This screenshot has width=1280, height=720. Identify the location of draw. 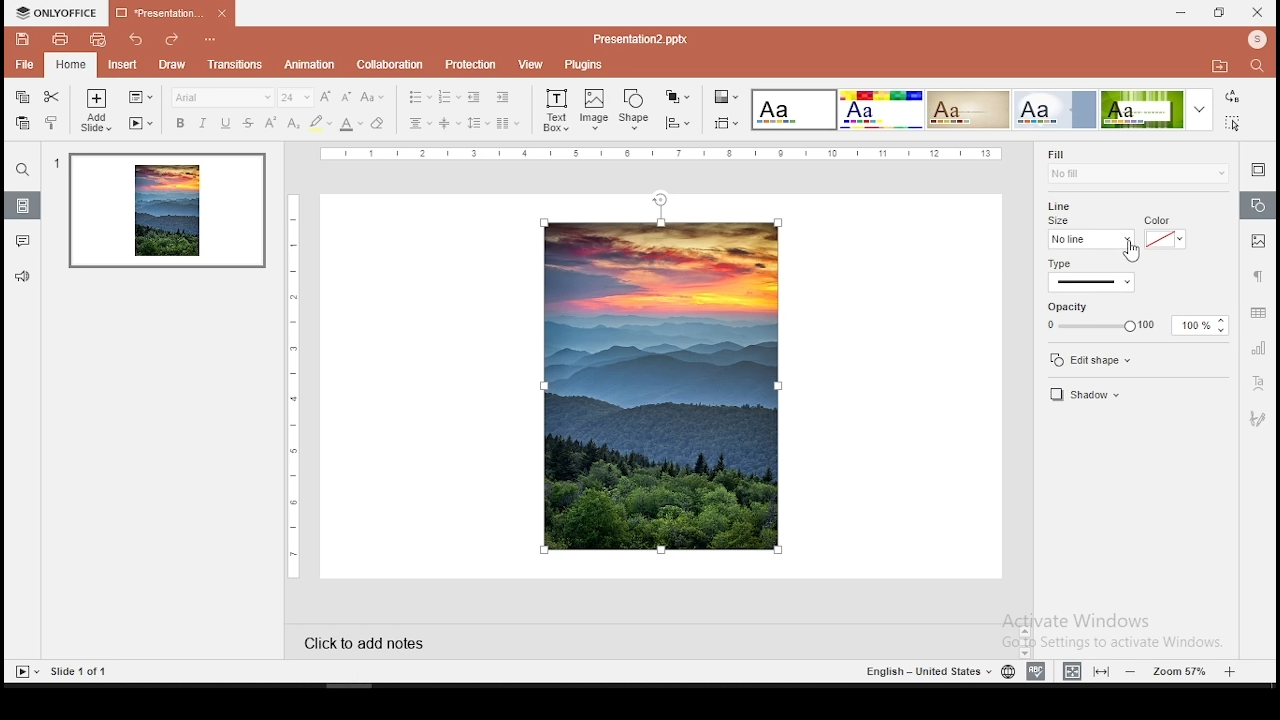
(172, 65).